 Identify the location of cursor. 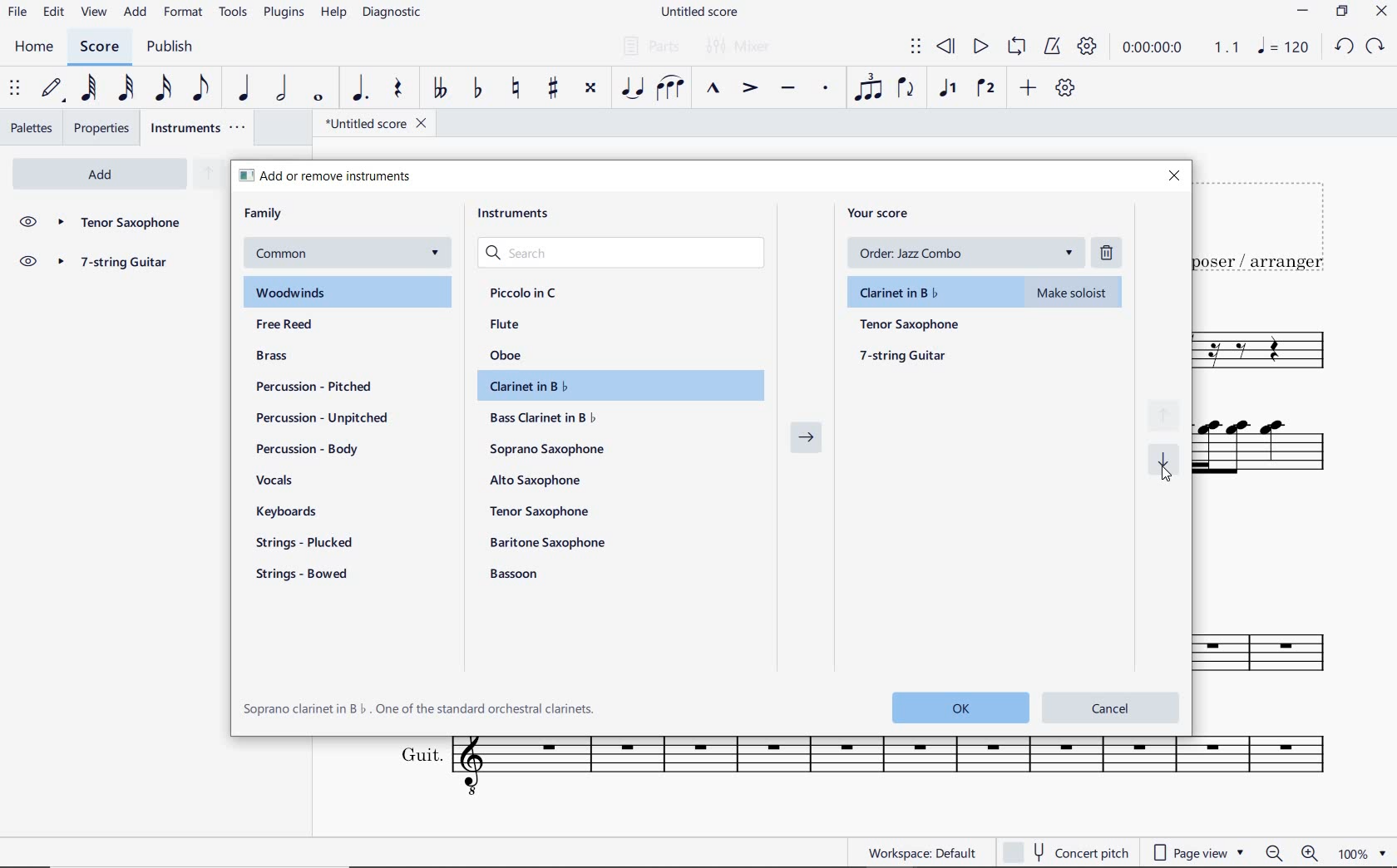
(1163, 476).